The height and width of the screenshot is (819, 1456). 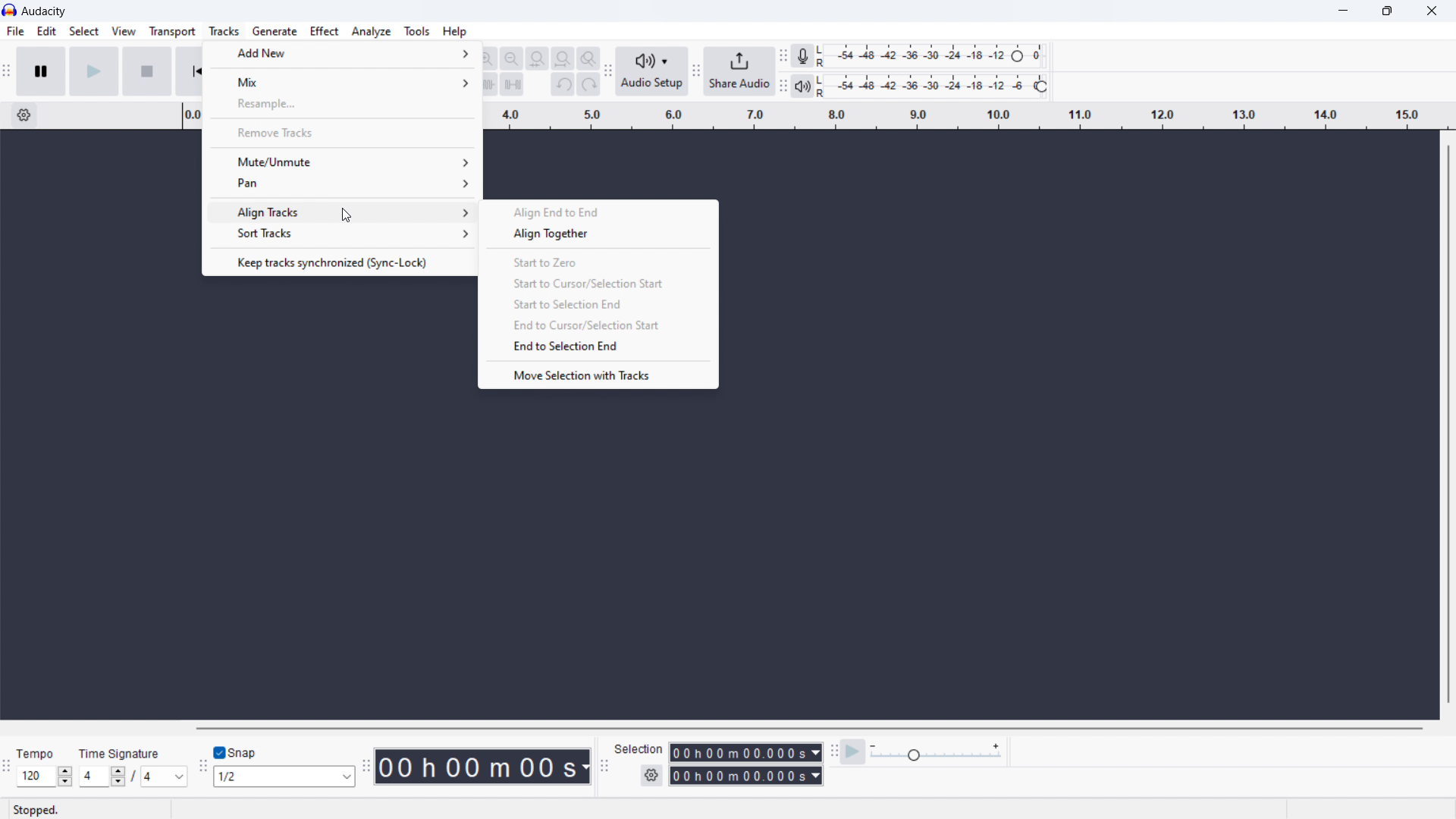 What do you see at coordinates (538, 58) in the screenshot?
I see `fit selection to width` at bounding box center [538, 58].